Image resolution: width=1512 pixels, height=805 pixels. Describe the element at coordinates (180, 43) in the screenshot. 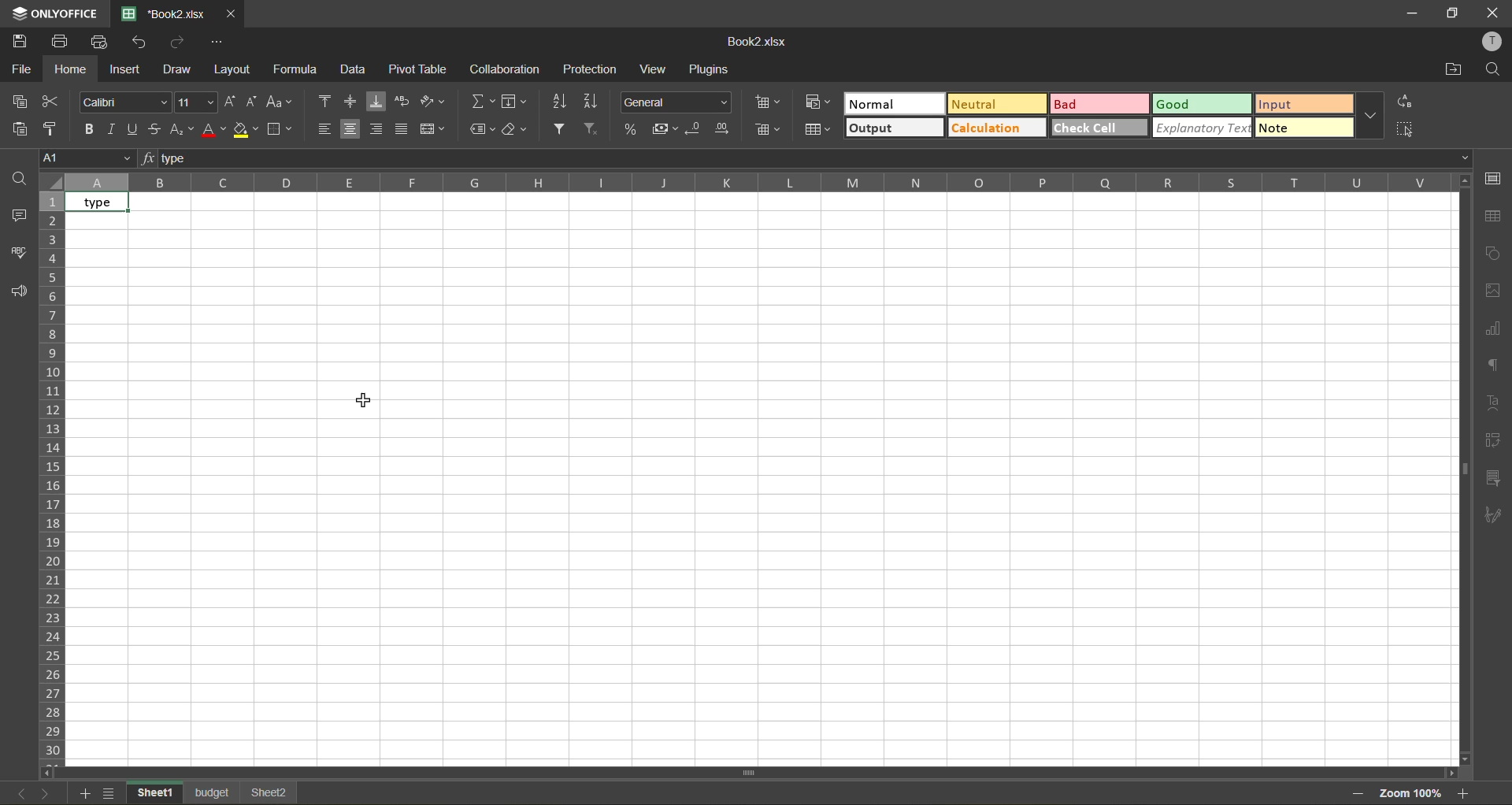

I see `redo` at that location.